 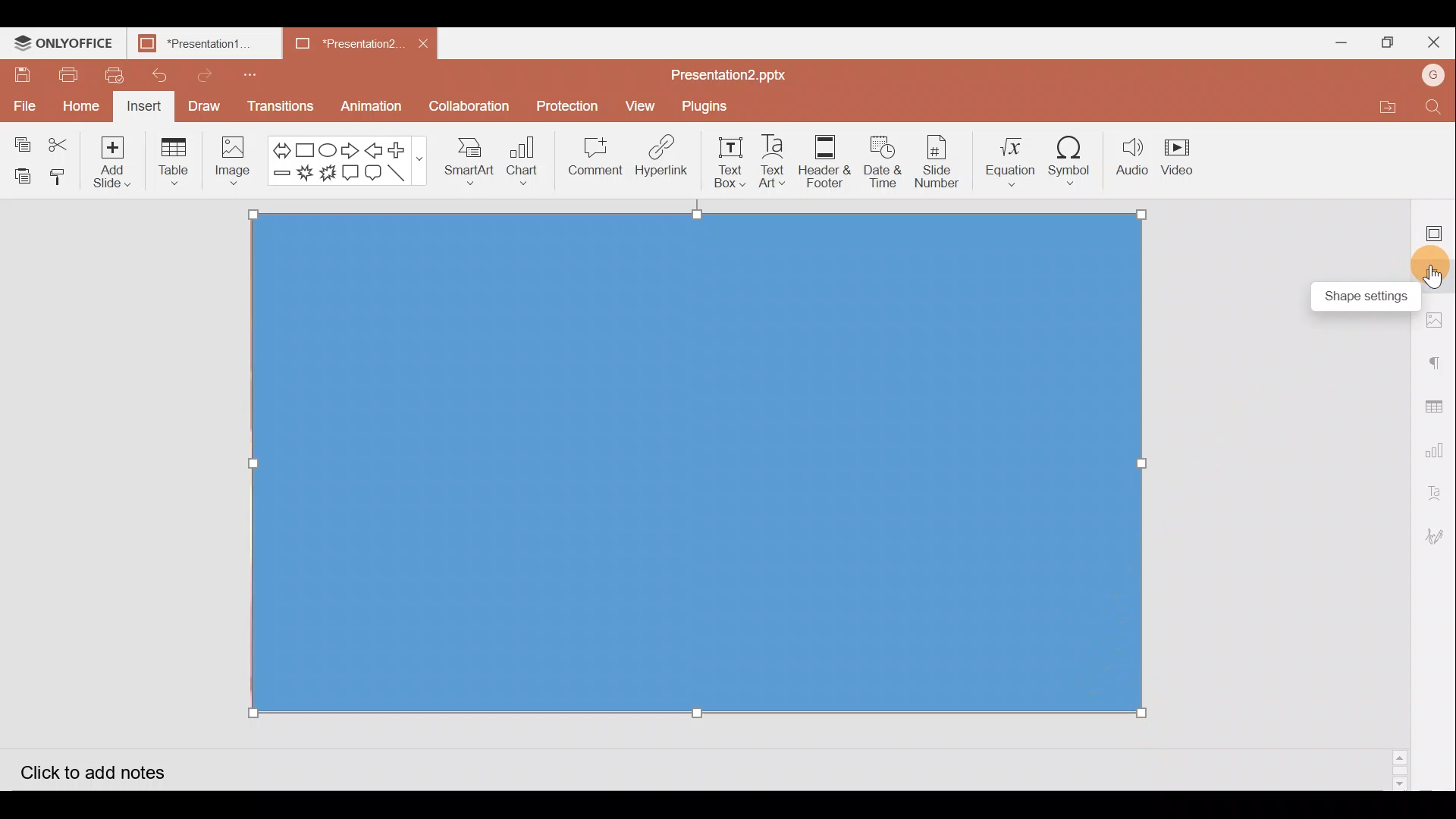 What do you see at coordinates (1435, 75) in the screenshot?
I see `Account name` at bounding box center [1435, 75].